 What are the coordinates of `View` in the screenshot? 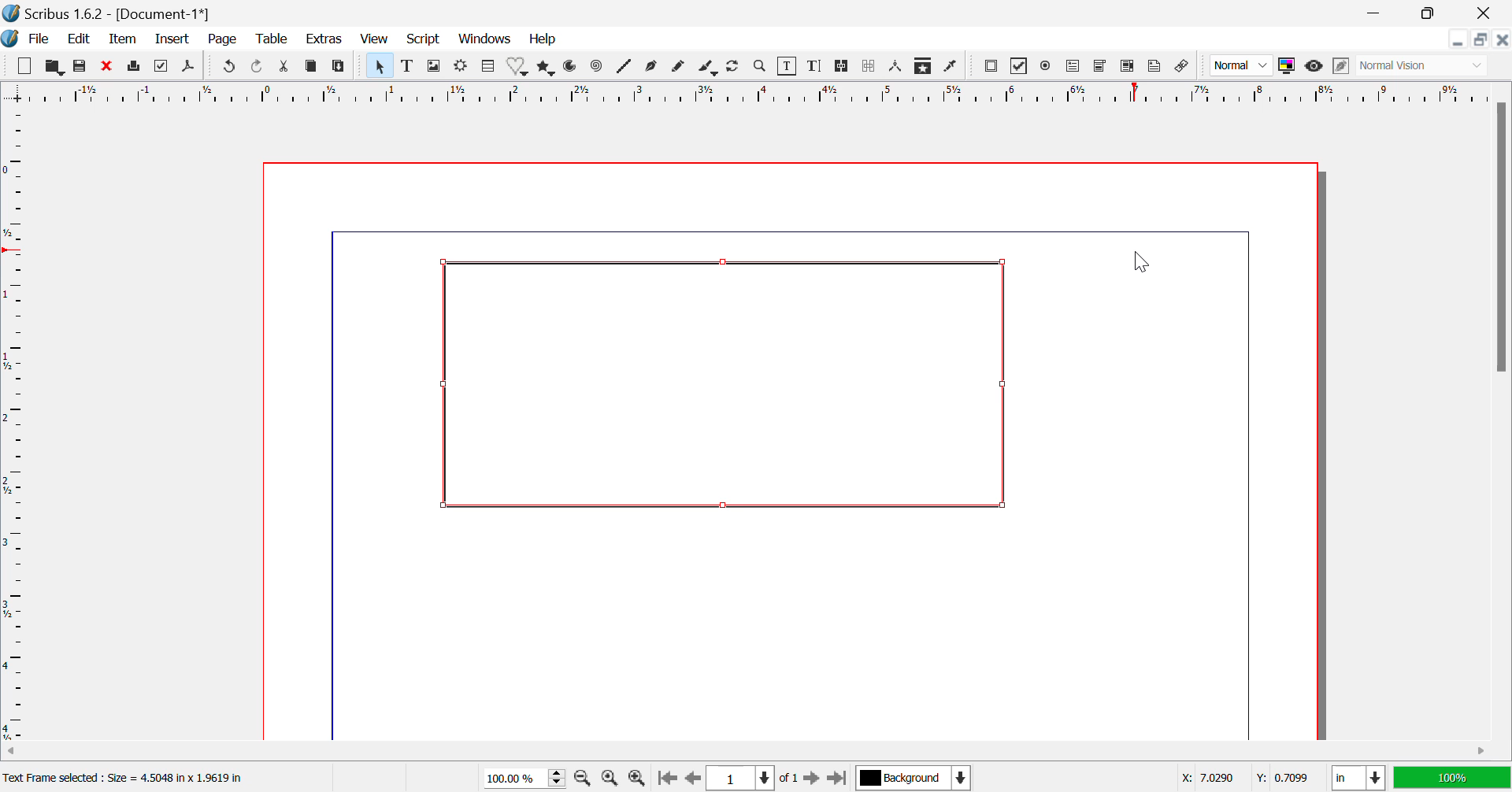 It's located at (375, 40).